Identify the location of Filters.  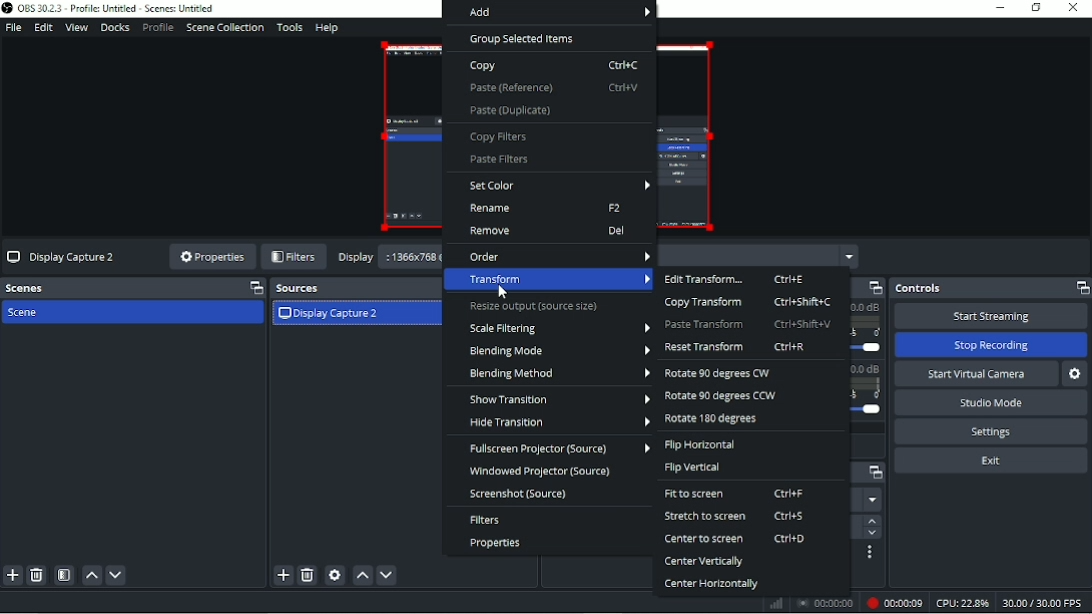
(486, 520).